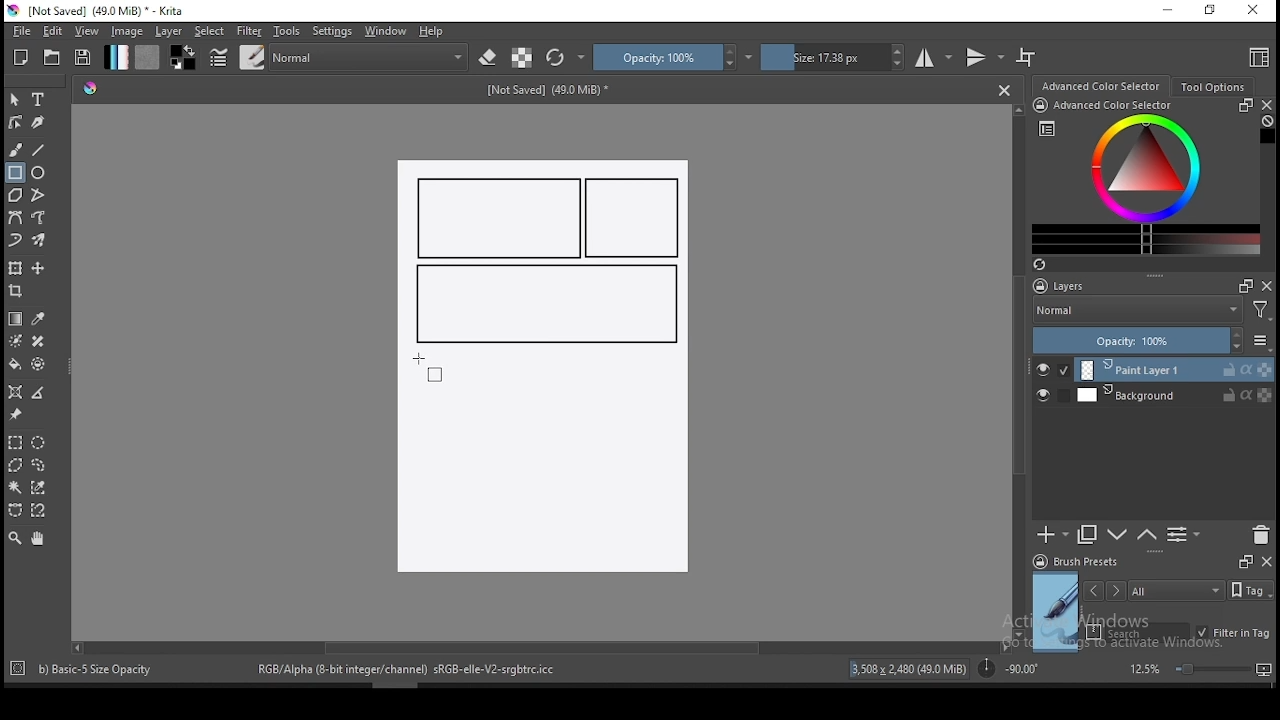 The image size is (1280, 720). I want to click on close docker, so click(1266, 560).